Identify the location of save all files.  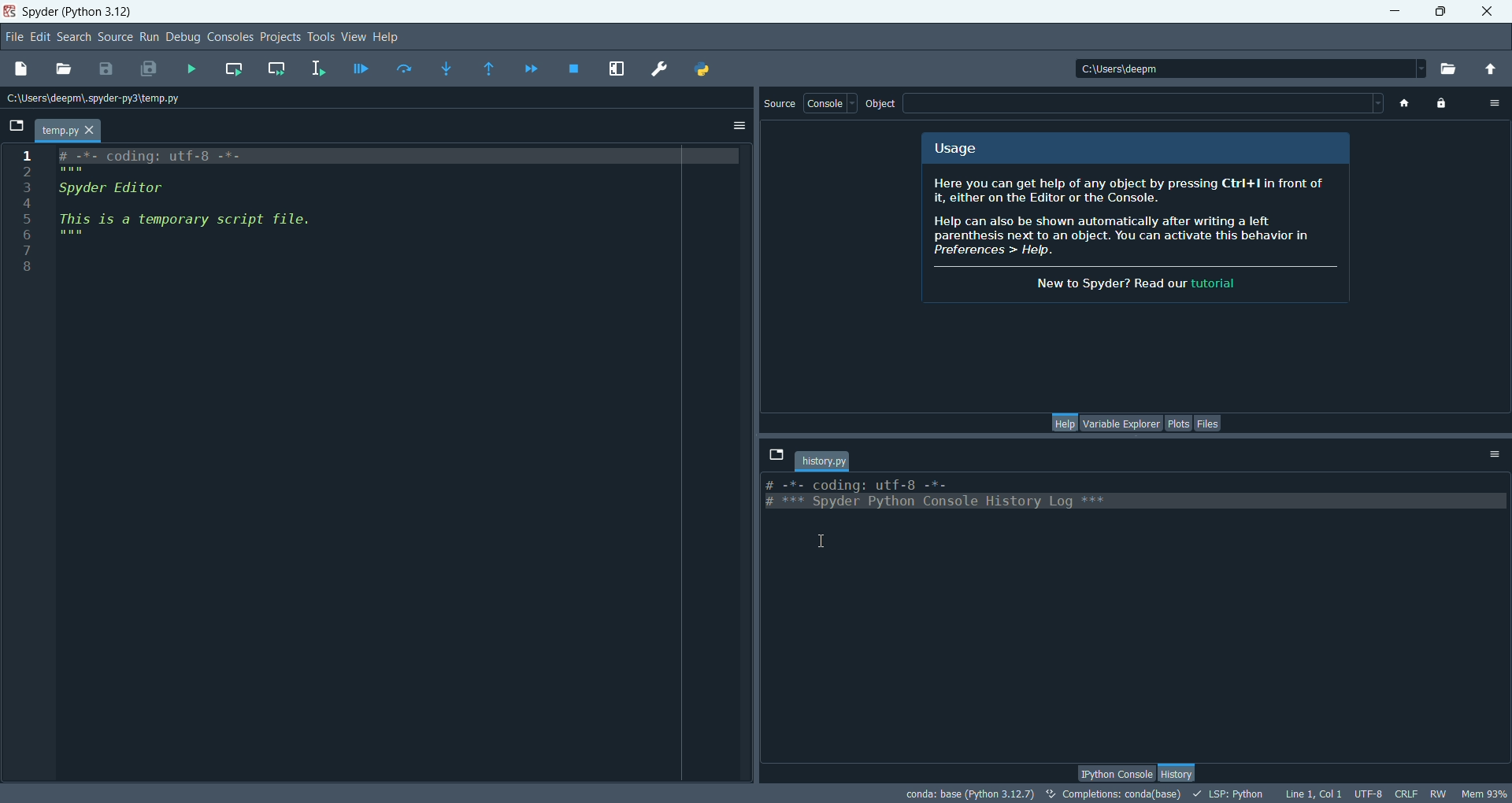
(153, 69).